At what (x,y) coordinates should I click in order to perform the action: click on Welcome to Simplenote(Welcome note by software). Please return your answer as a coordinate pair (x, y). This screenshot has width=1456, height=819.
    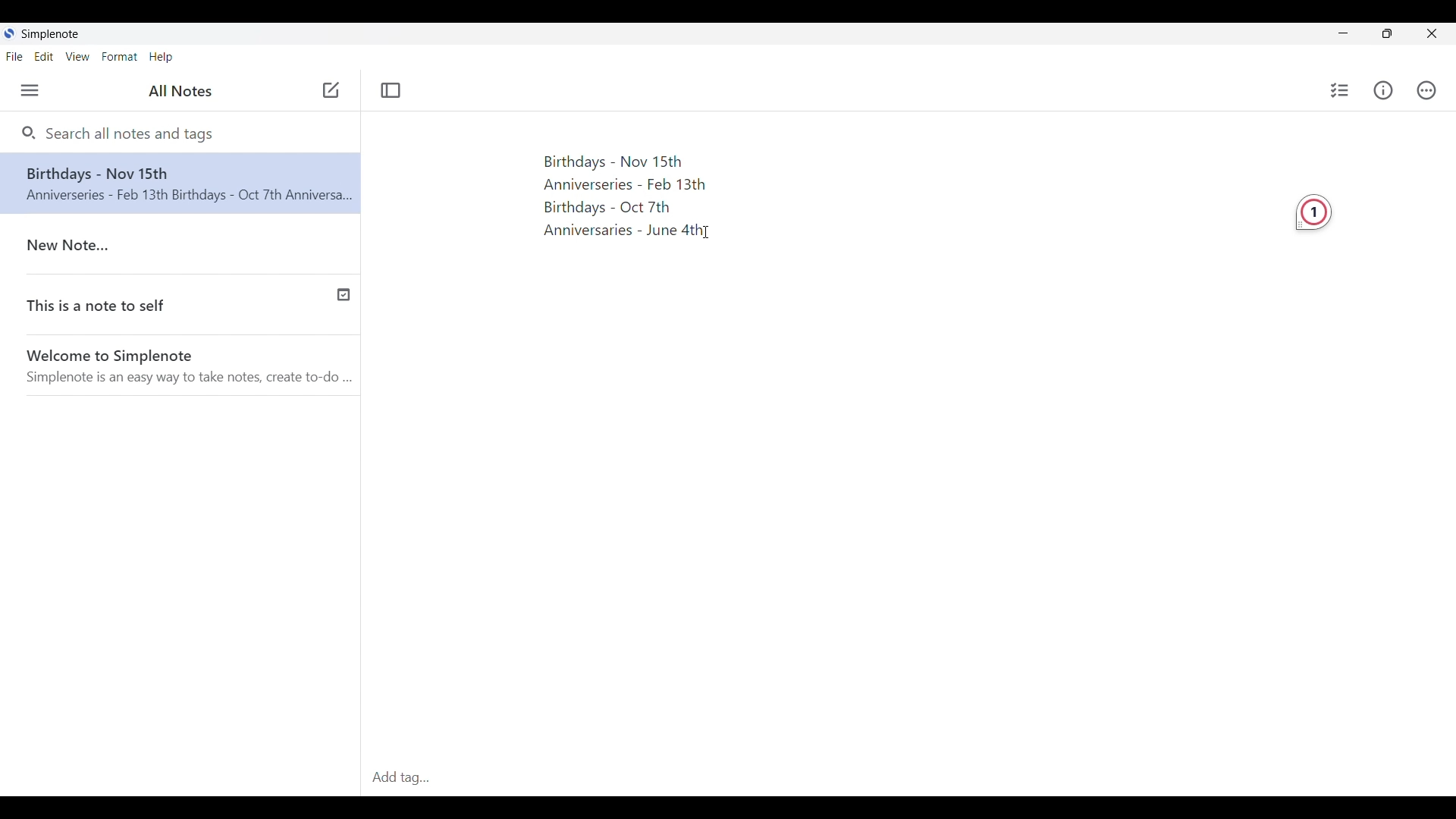
    Looking at the image, I should click on (190, 367).